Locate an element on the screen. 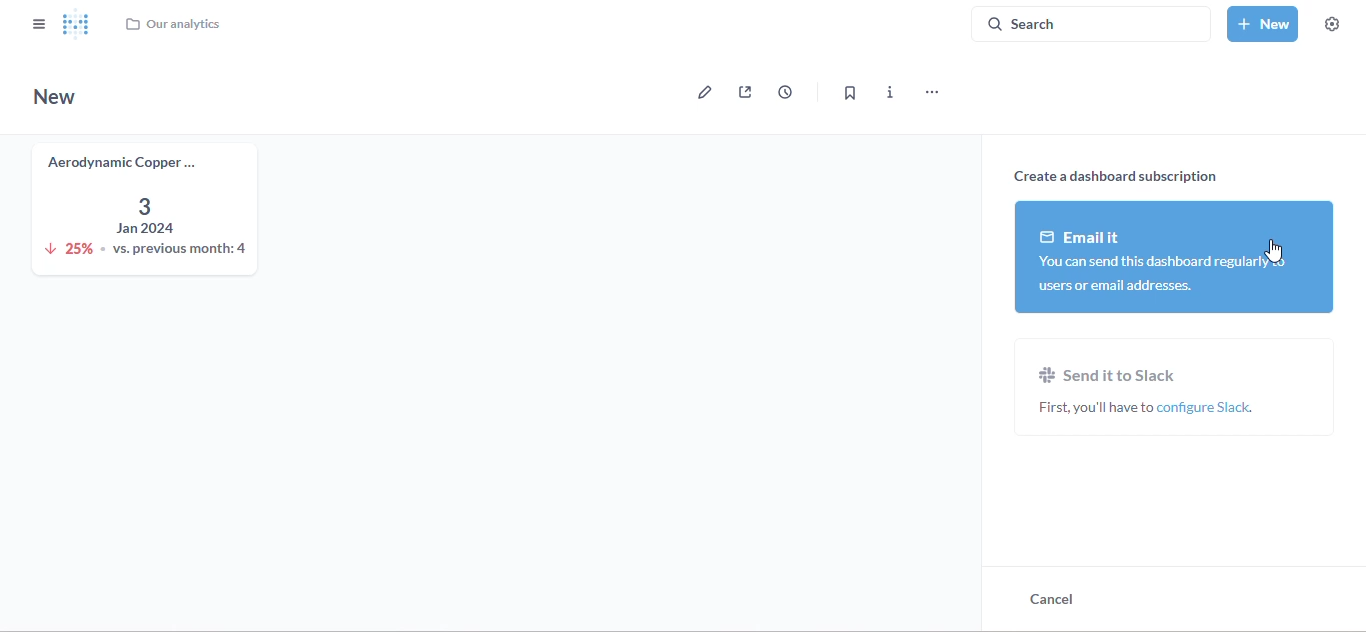 The width and height of the screenshot is (1366, 632). new is located at coordinates (1263, 23).